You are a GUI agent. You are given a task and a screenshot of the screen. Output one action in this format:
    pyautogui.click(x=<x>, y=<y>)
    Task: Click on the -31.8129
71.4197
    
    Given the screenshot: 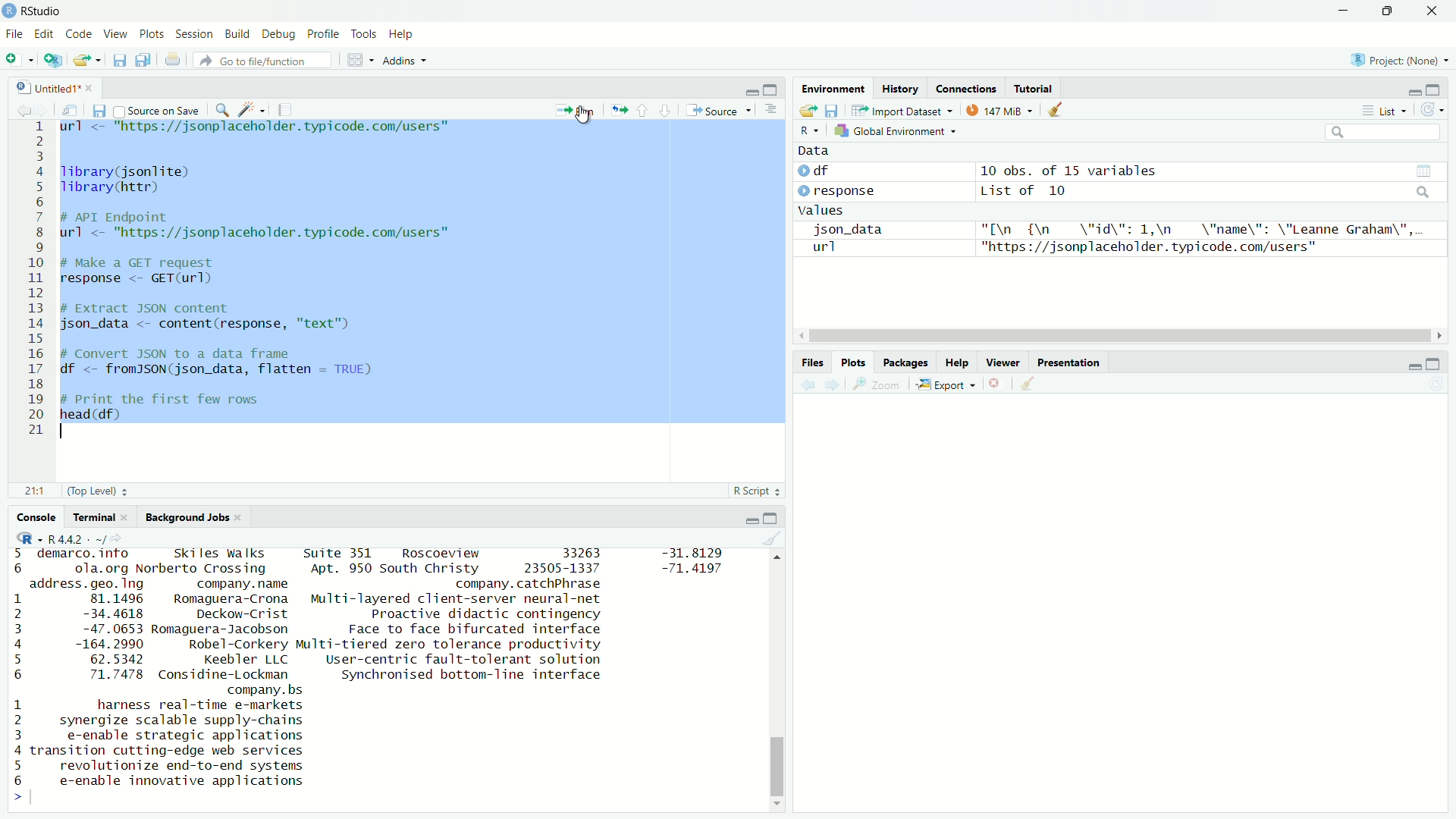 What is the action you would take?
    pyautogui.click(x=692, y=563)
    